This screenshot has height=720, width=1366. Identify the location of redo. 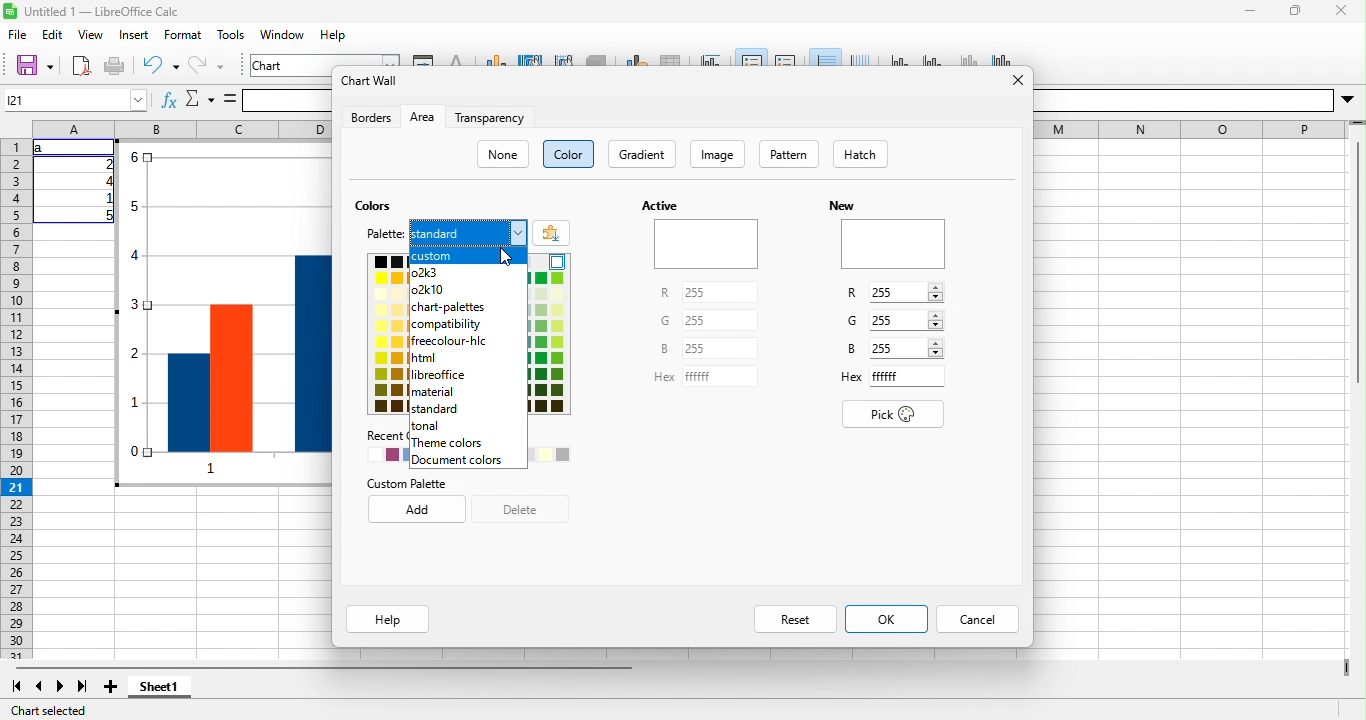
(206, 66).